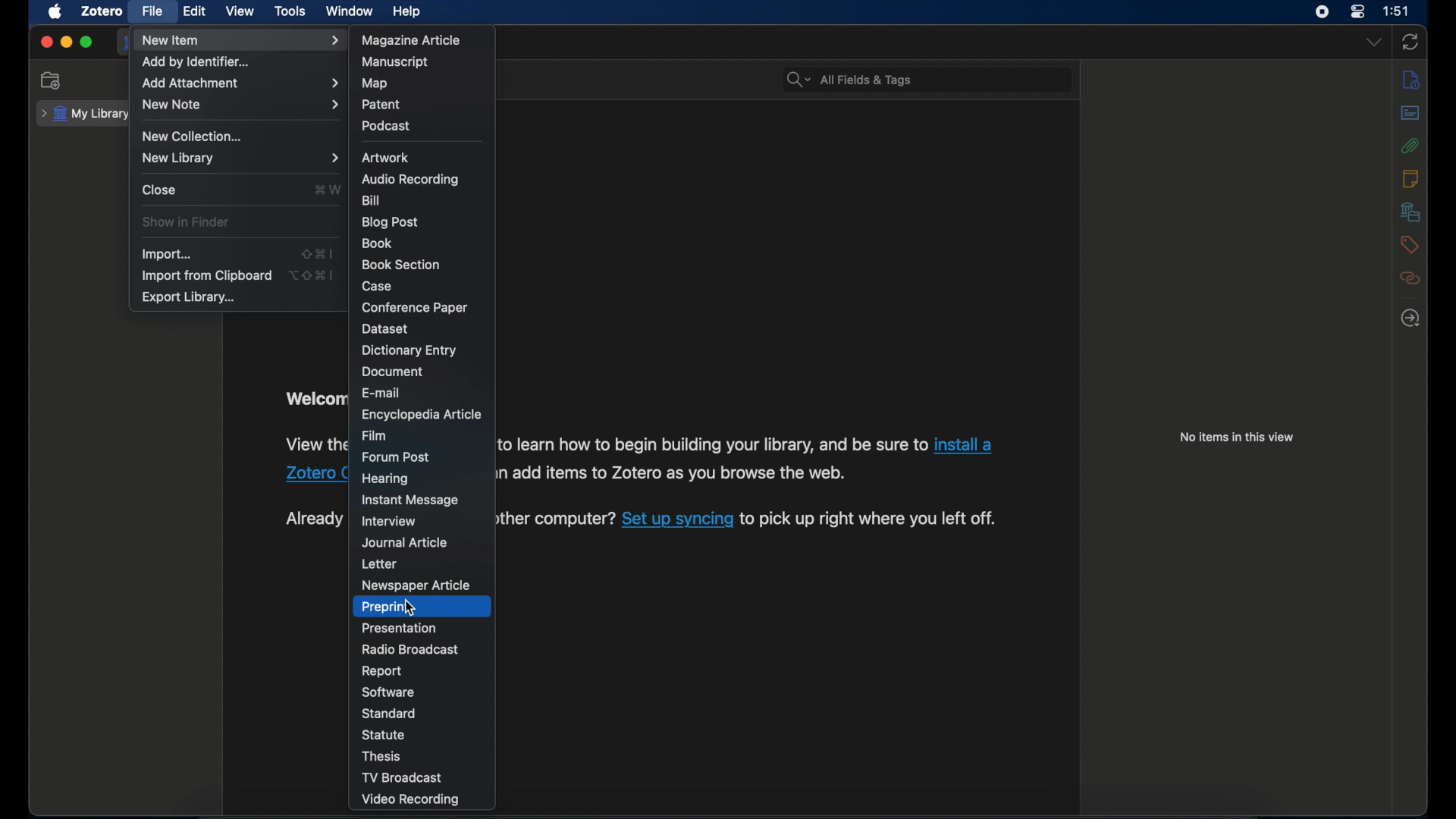 This screenshot has height=819, width=1456. I want to click on my library, so click(85, 115).